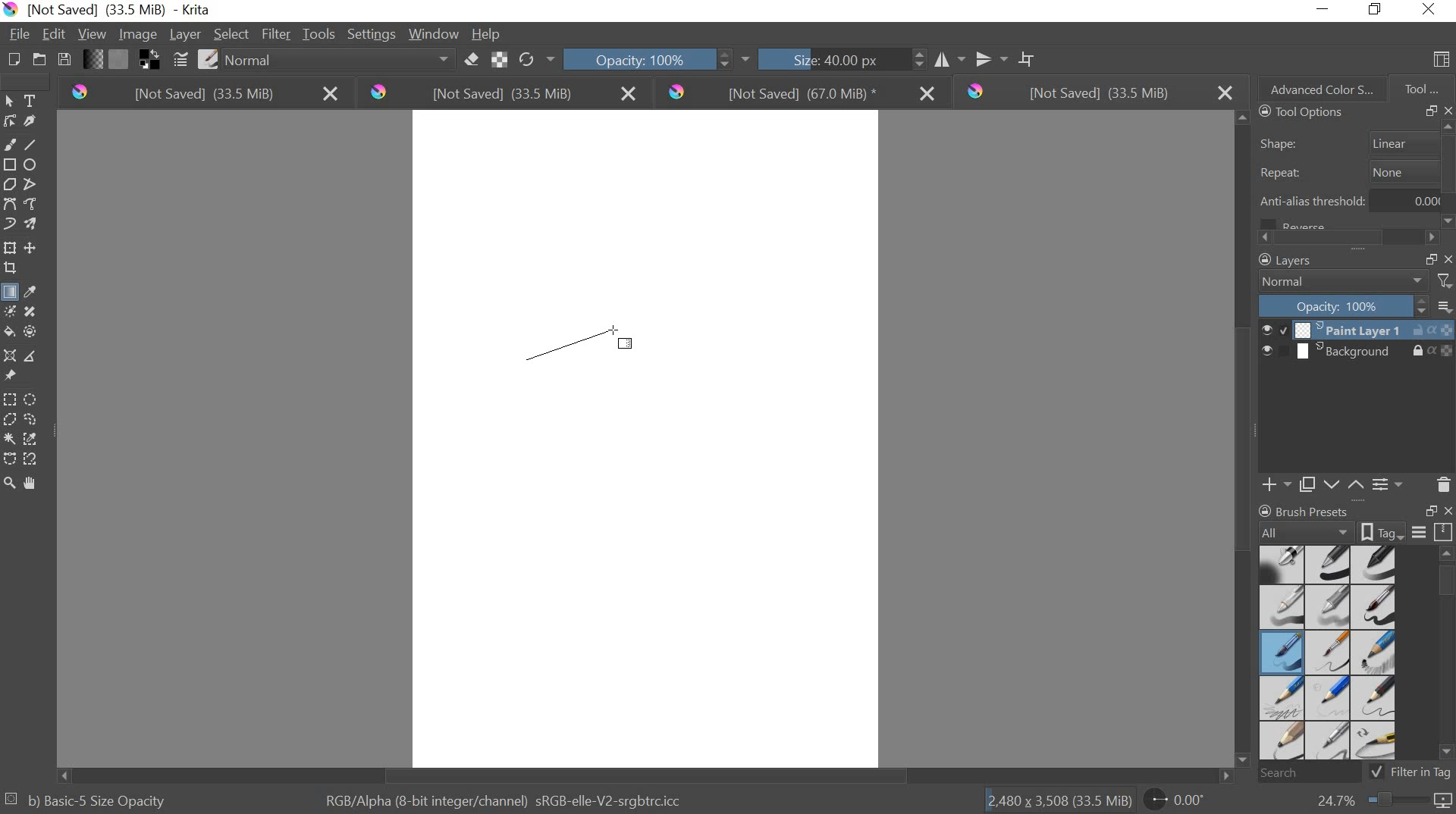 The height and width of the screenshot is (814, 1456). I want to click on RESTORE DOWN, so click(1430, 111).